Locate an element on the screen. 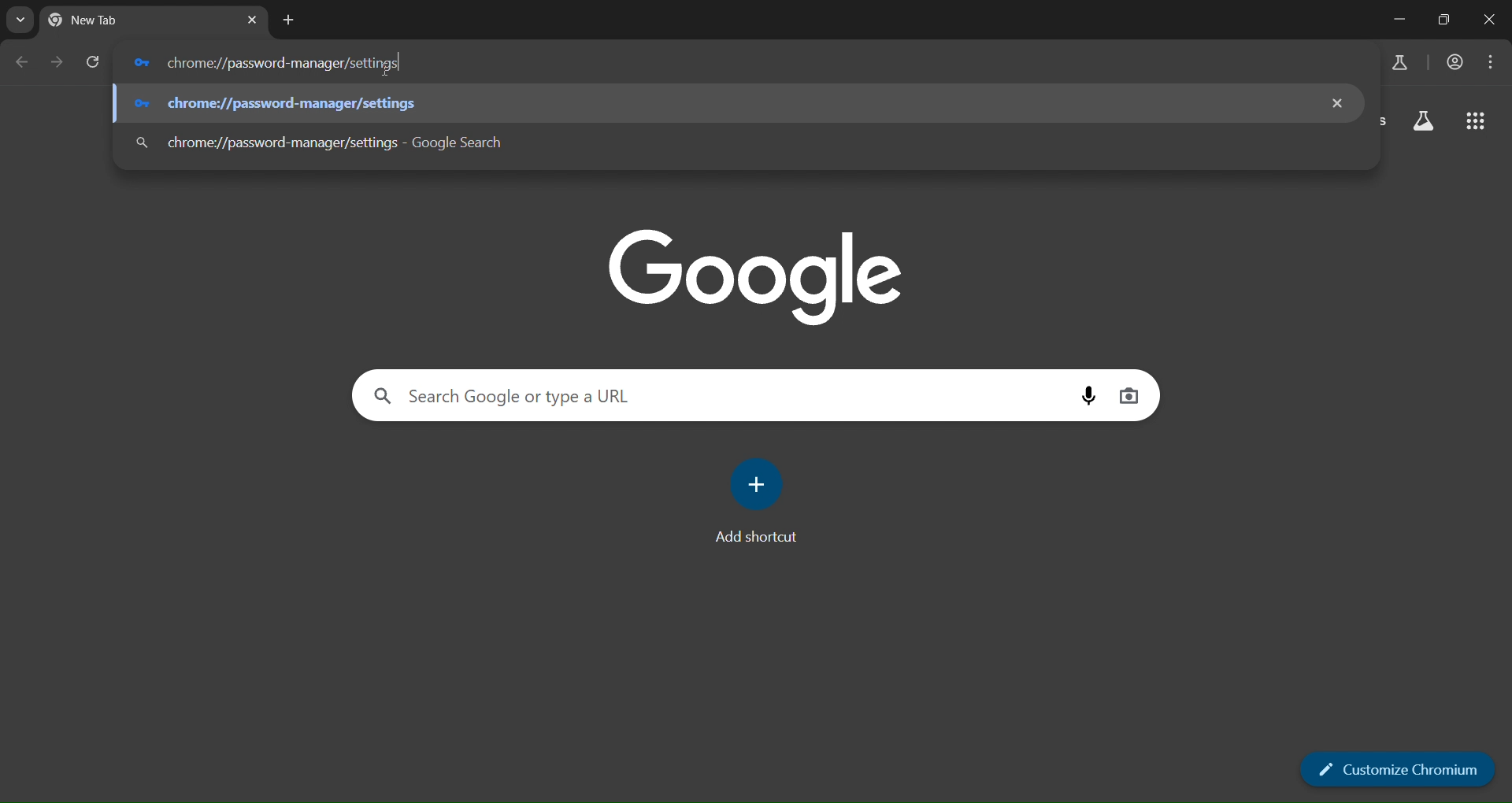  add shortcut is located at coordinates (754, 501).